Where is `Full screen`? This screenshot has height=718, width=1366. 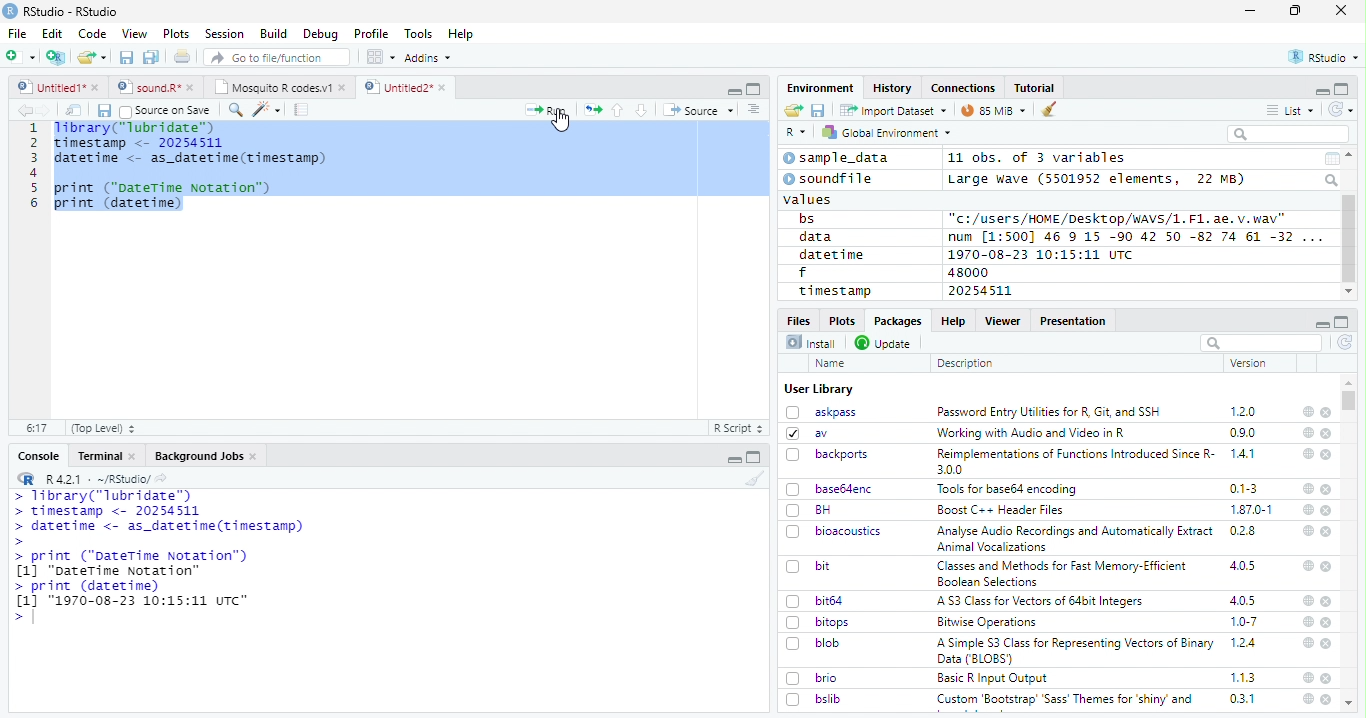
Full screen is located at coordinates (754, 88).